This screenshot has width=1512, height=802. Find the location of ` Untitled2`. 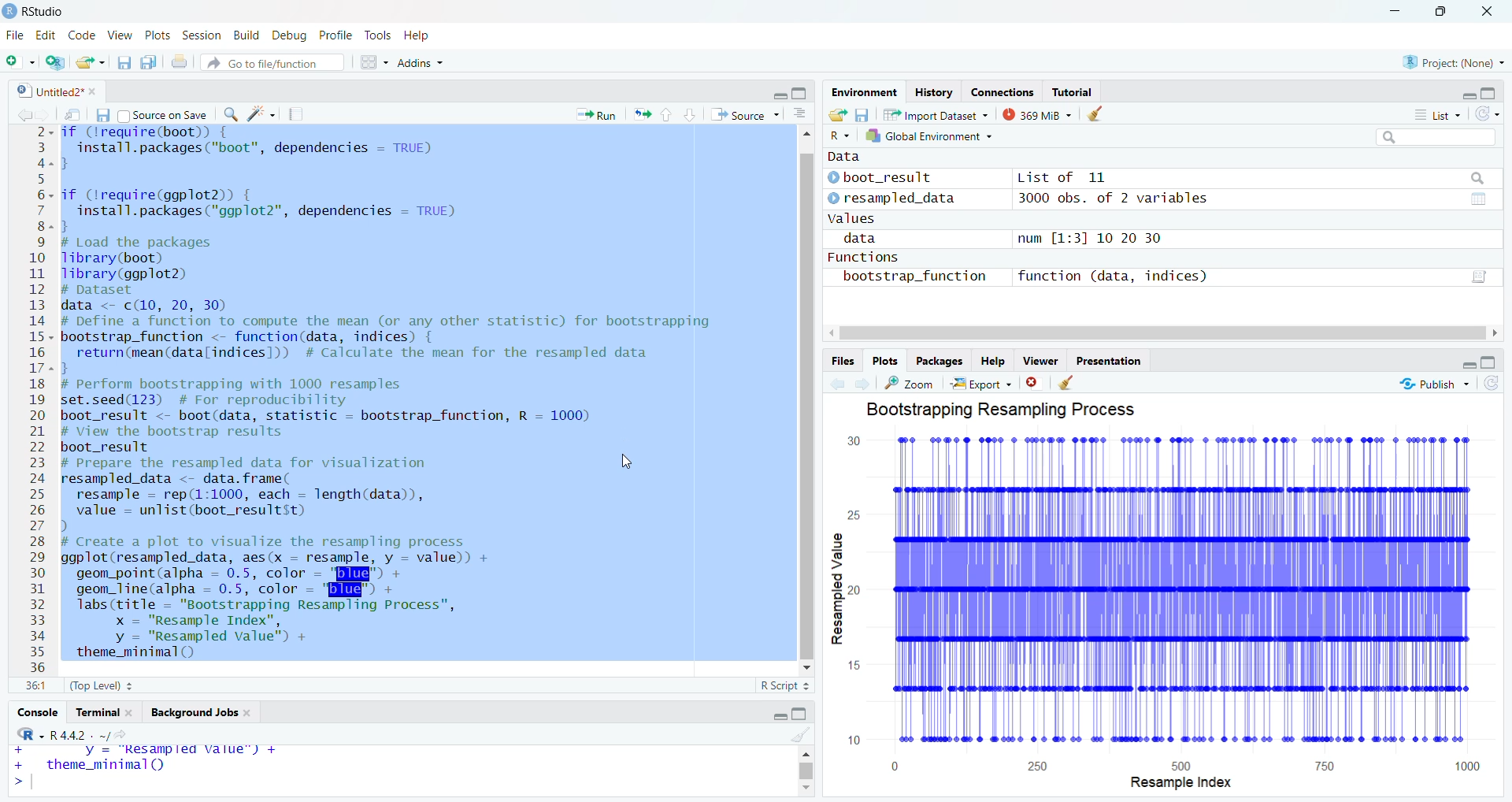

 Untitled2 is located at coordinates (69, 93).